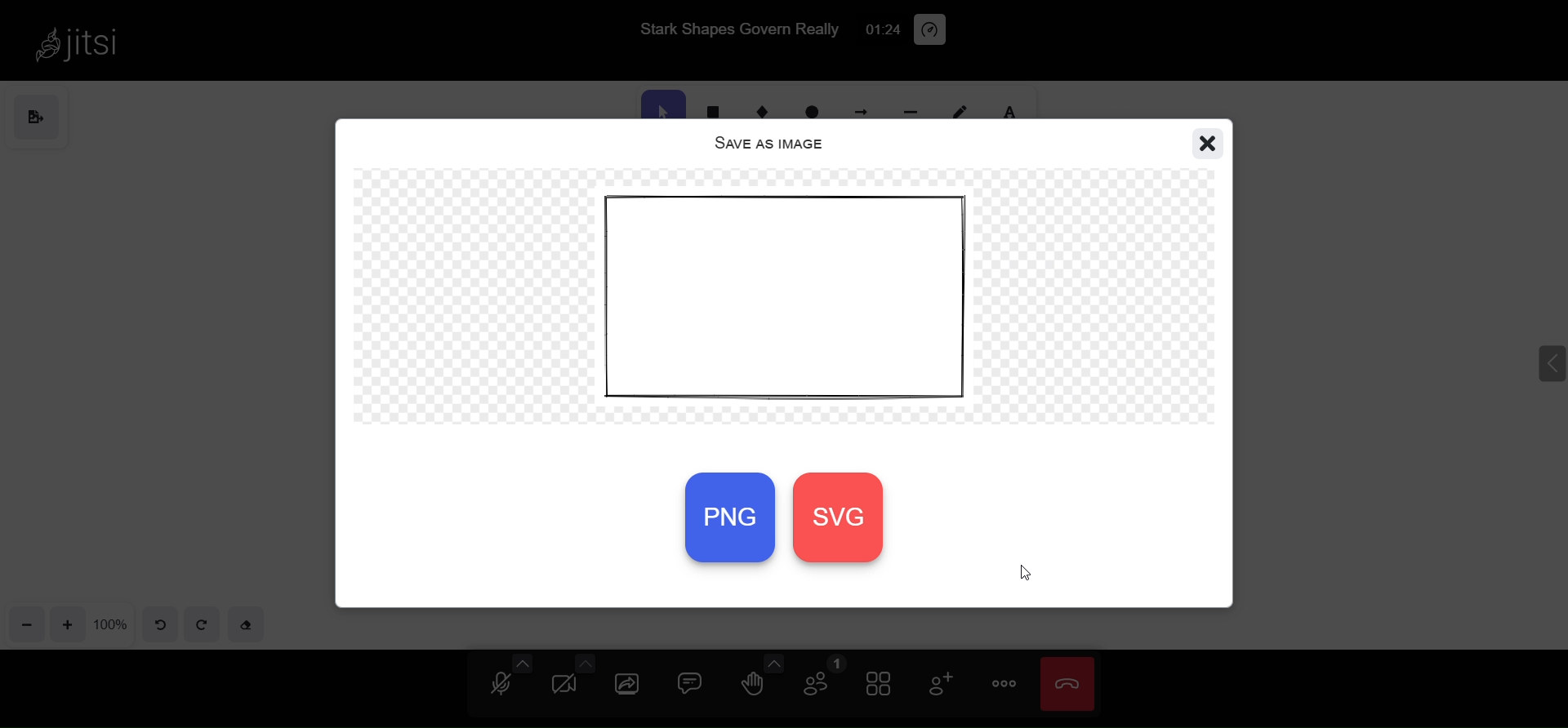 The image size is (1568, 728). What do you see at coordinates (78, 42) in the screenshot?
I see `jitsi` at bounding box center [78, 42].